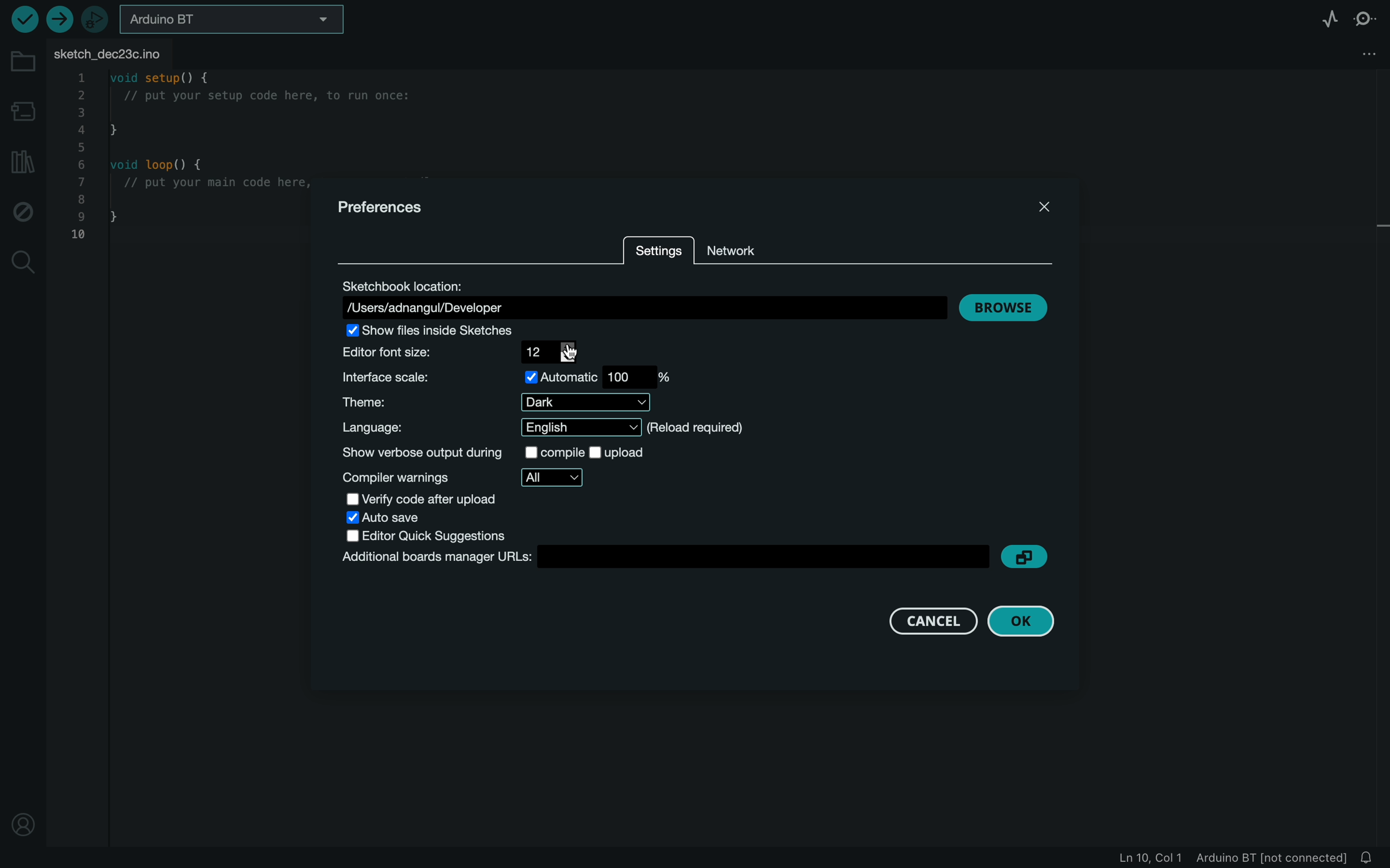  I want to click on file information, so click(1220, 858).